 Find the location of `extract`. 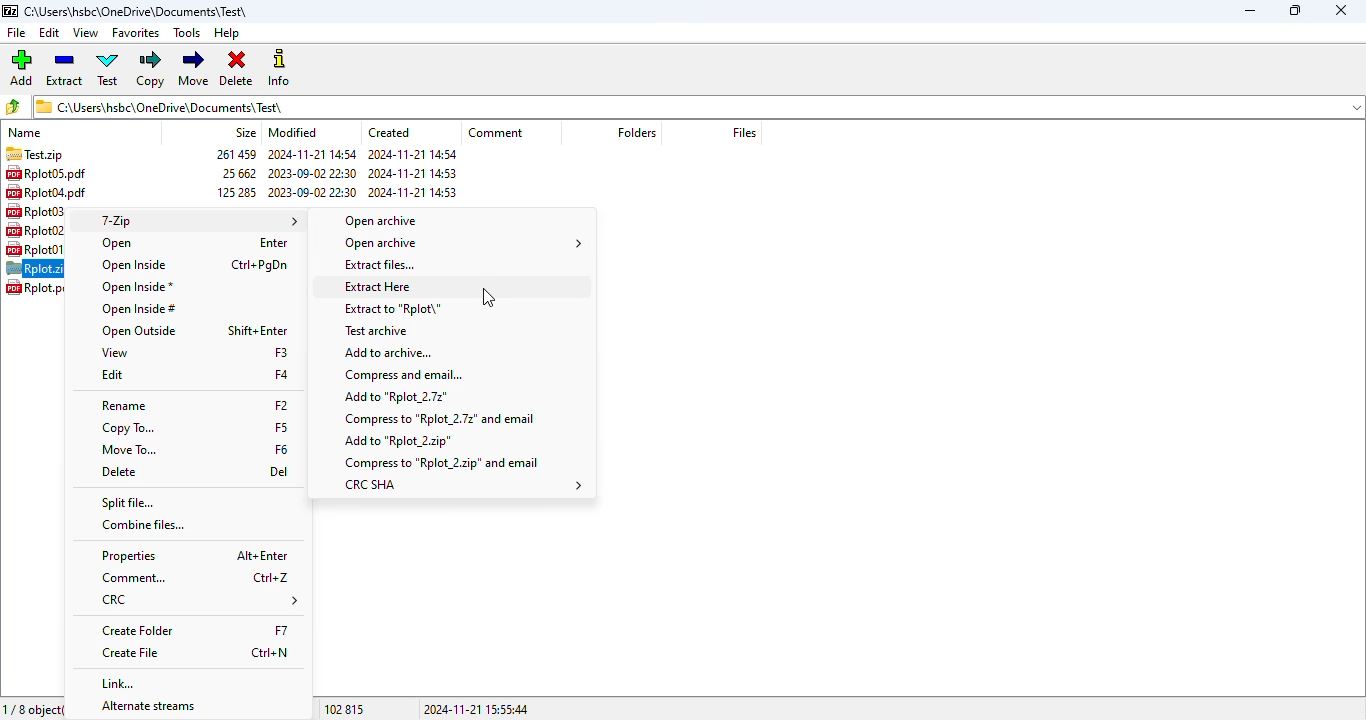

extract is located at coordinates (64, 67).